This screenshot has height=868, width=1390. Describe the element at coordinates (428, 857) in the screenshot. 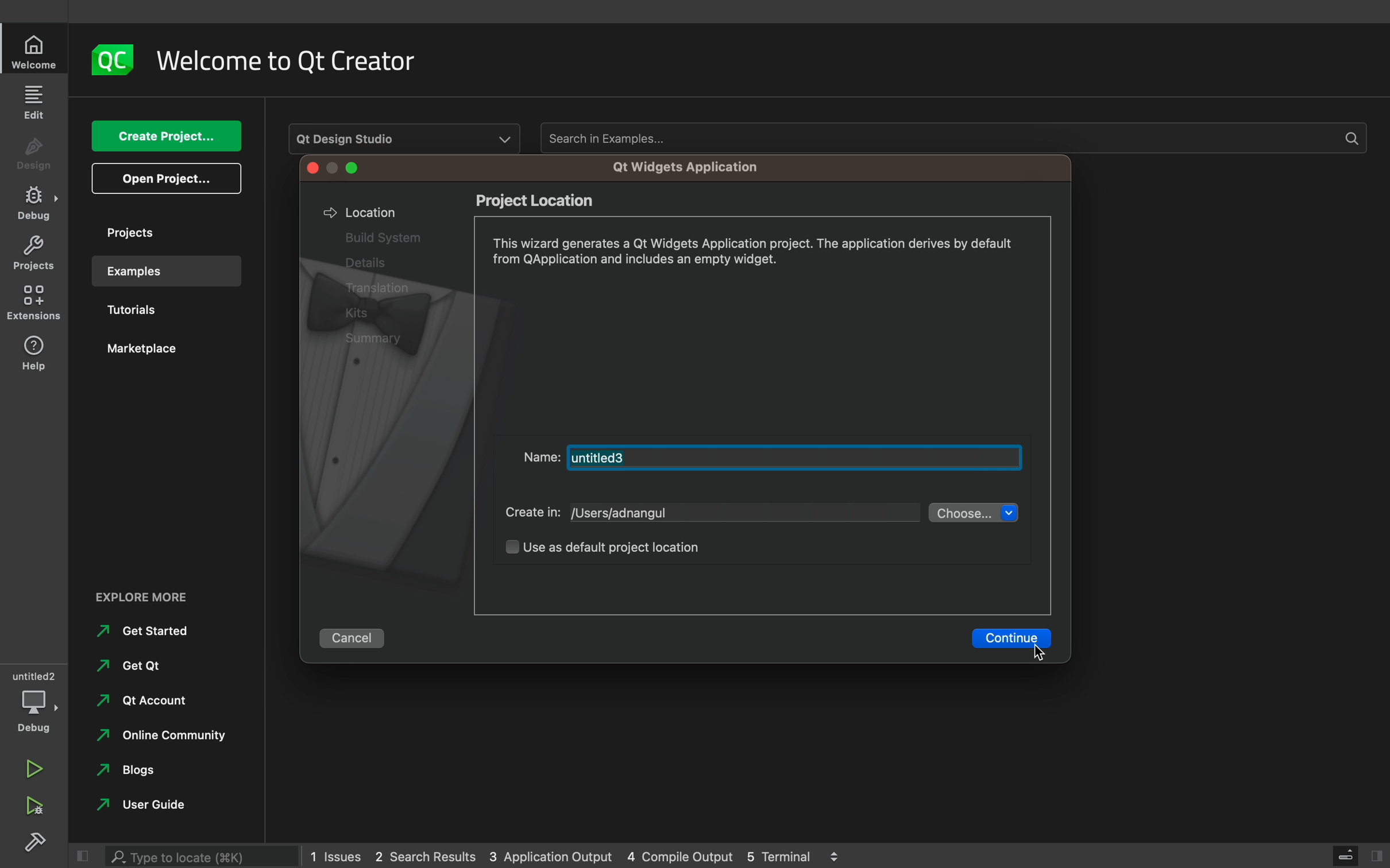

I see `2 search results` at that location.